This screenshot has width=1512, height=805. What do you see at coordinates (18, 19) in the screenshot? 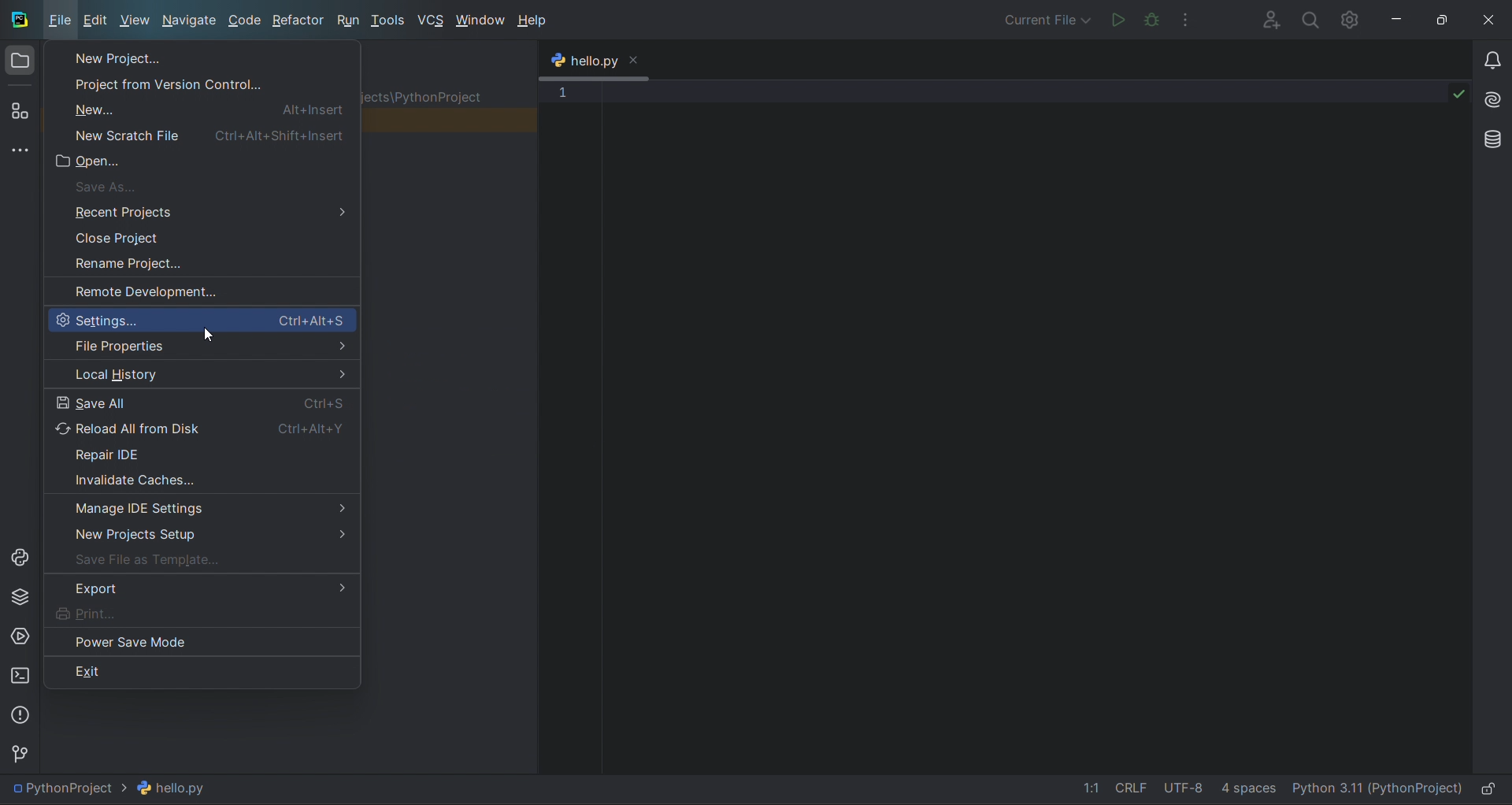
I see `logo` at bounding box center [18, 19].